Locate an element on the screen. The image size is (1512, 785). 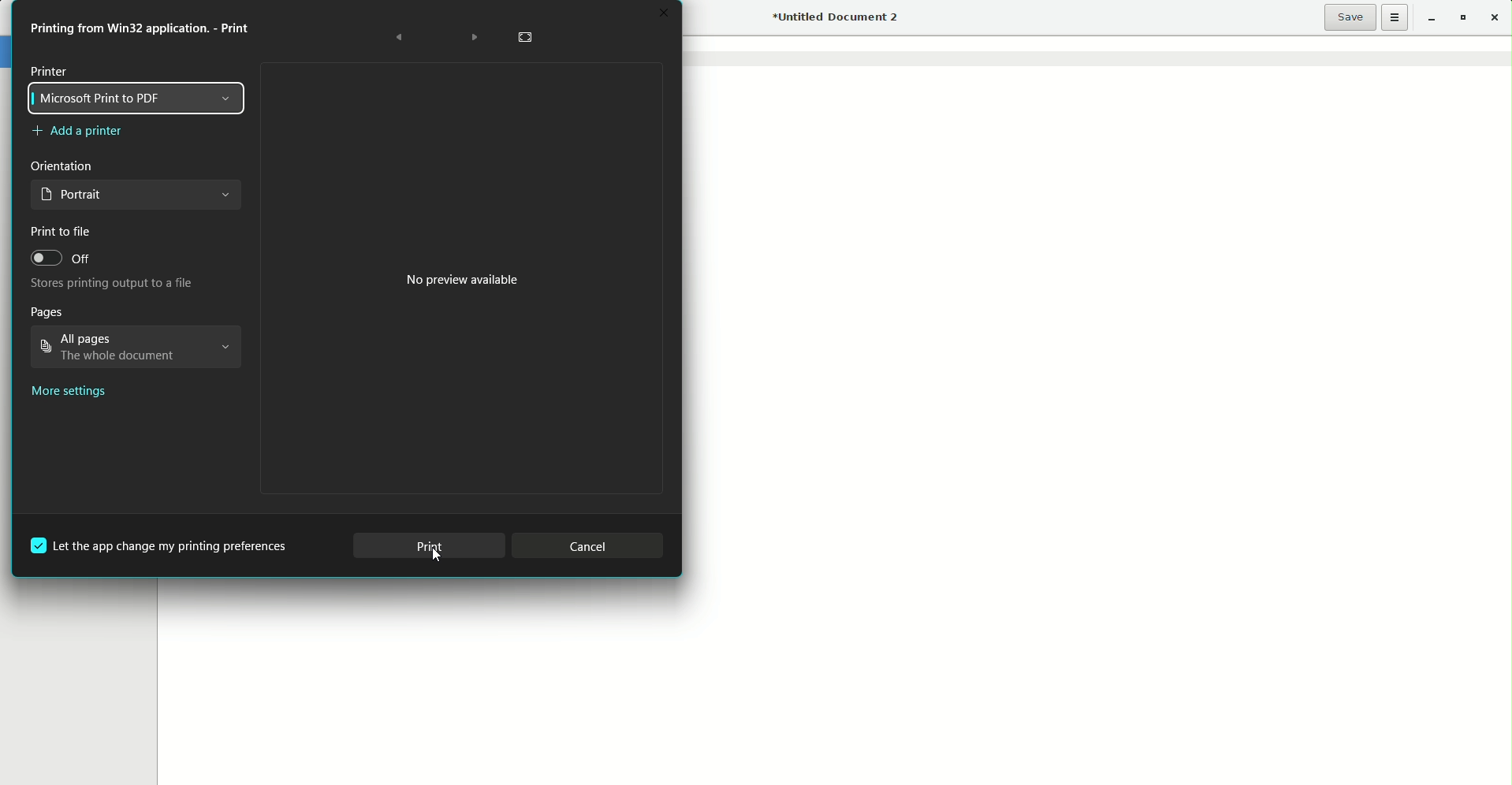
Untitled Document 2 is located at coordinates (838, 19).